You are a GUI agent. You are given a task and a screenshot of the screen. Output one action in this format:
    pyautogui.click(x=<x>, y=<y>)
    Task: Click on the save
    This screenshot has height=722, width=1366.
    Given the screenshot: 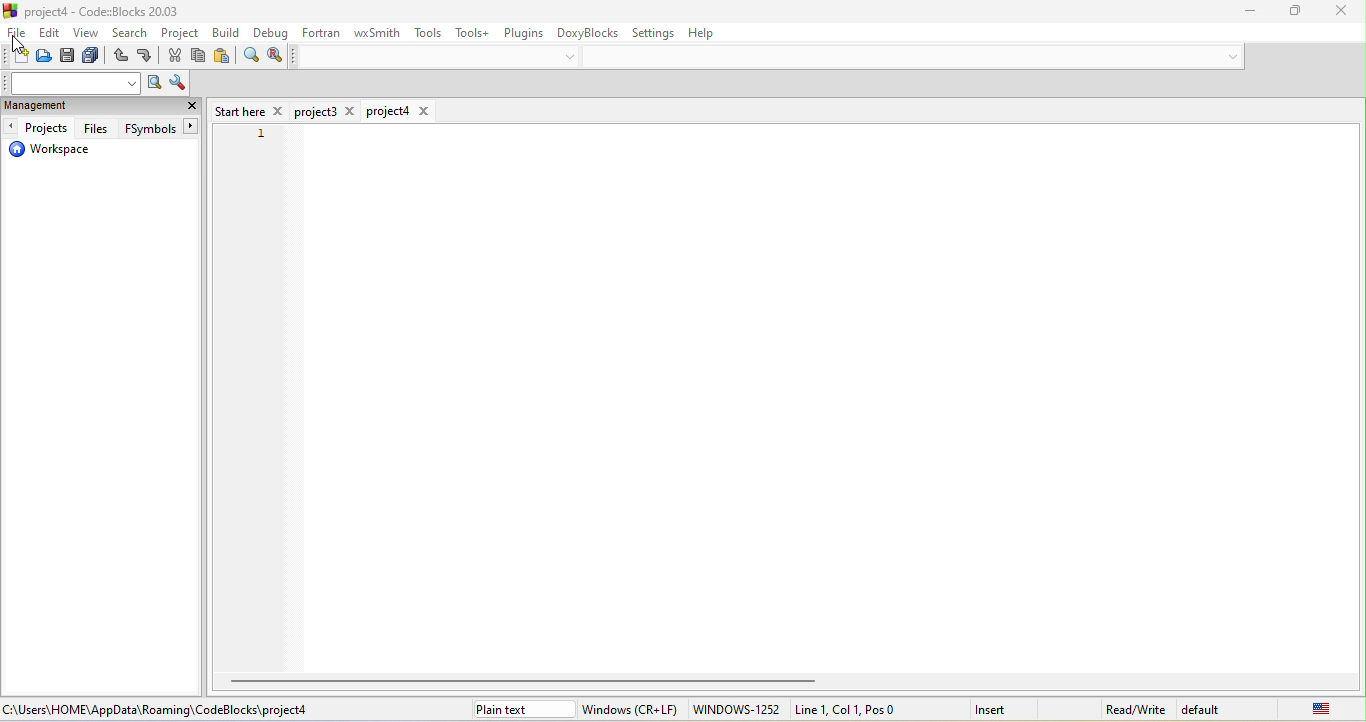 What is the action you would take?
    pyautogui.click(x=68, y=58)
    